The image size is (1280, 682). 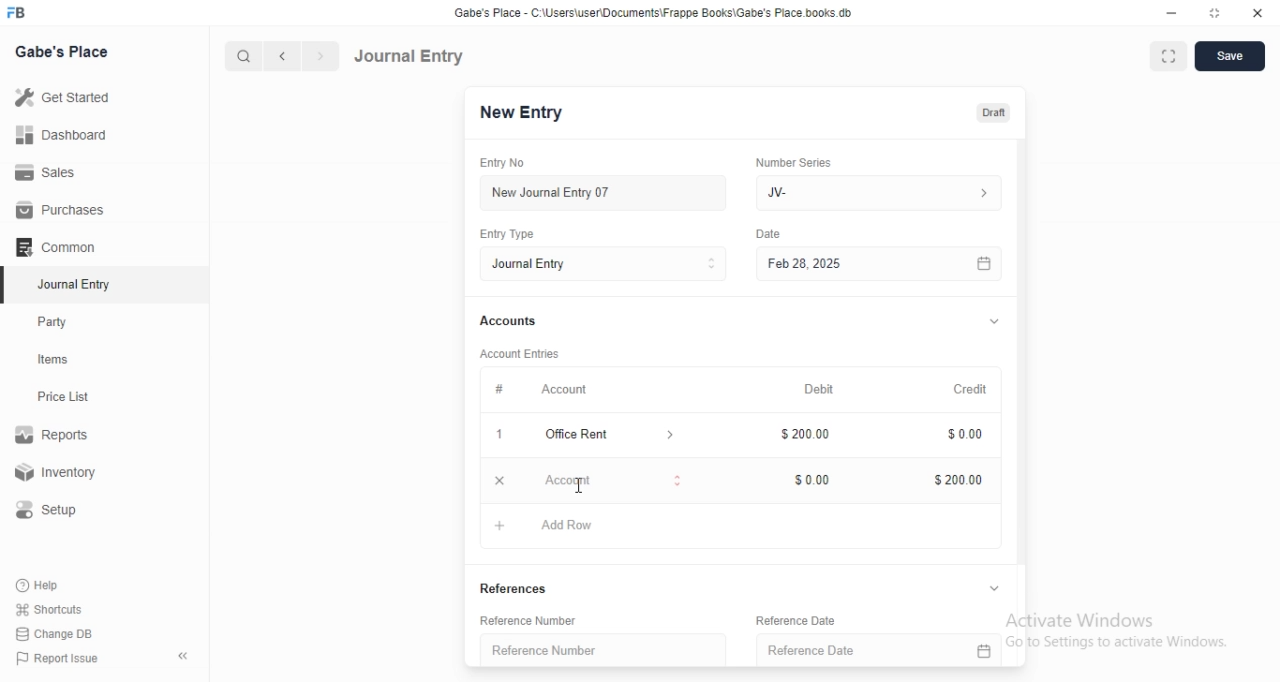 What do you see at coordinates (185, 657) in the screenshot?
I see `«` at bounding box center [185, 657].